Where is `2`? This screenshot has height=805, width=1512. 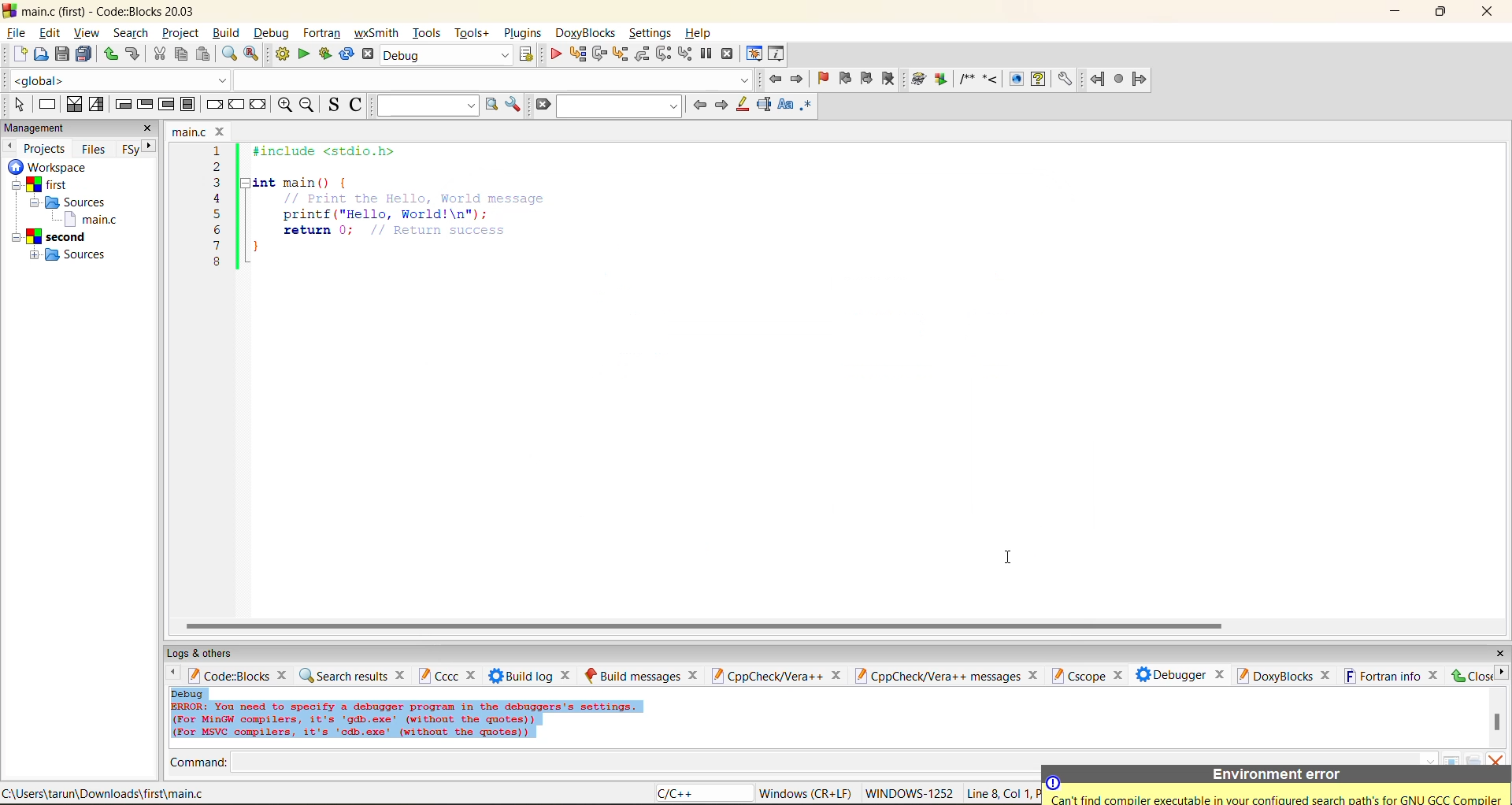 2 is located at coordinates (217, 167).